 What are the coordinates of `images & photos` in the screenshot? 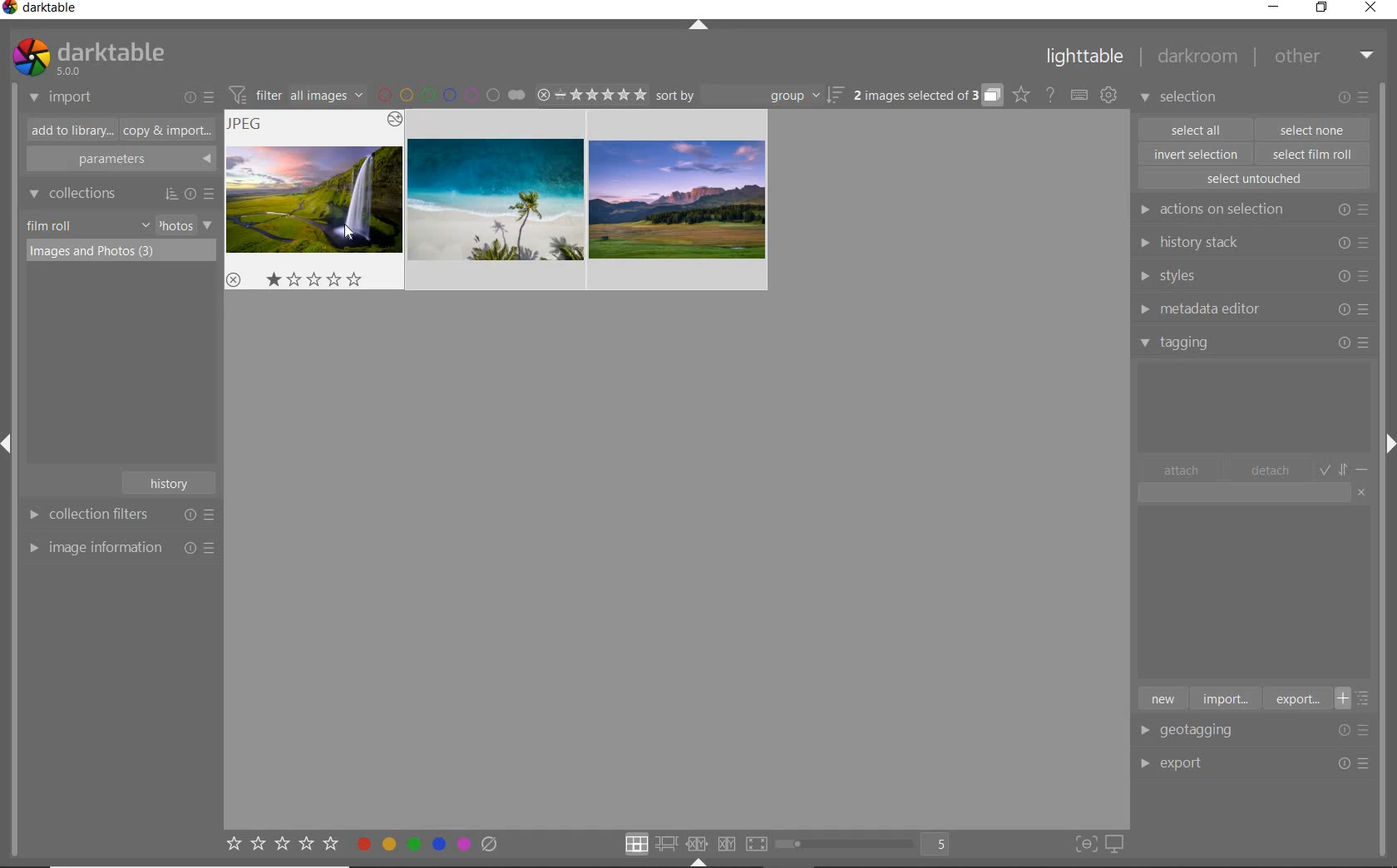 It's located at (121, 252).